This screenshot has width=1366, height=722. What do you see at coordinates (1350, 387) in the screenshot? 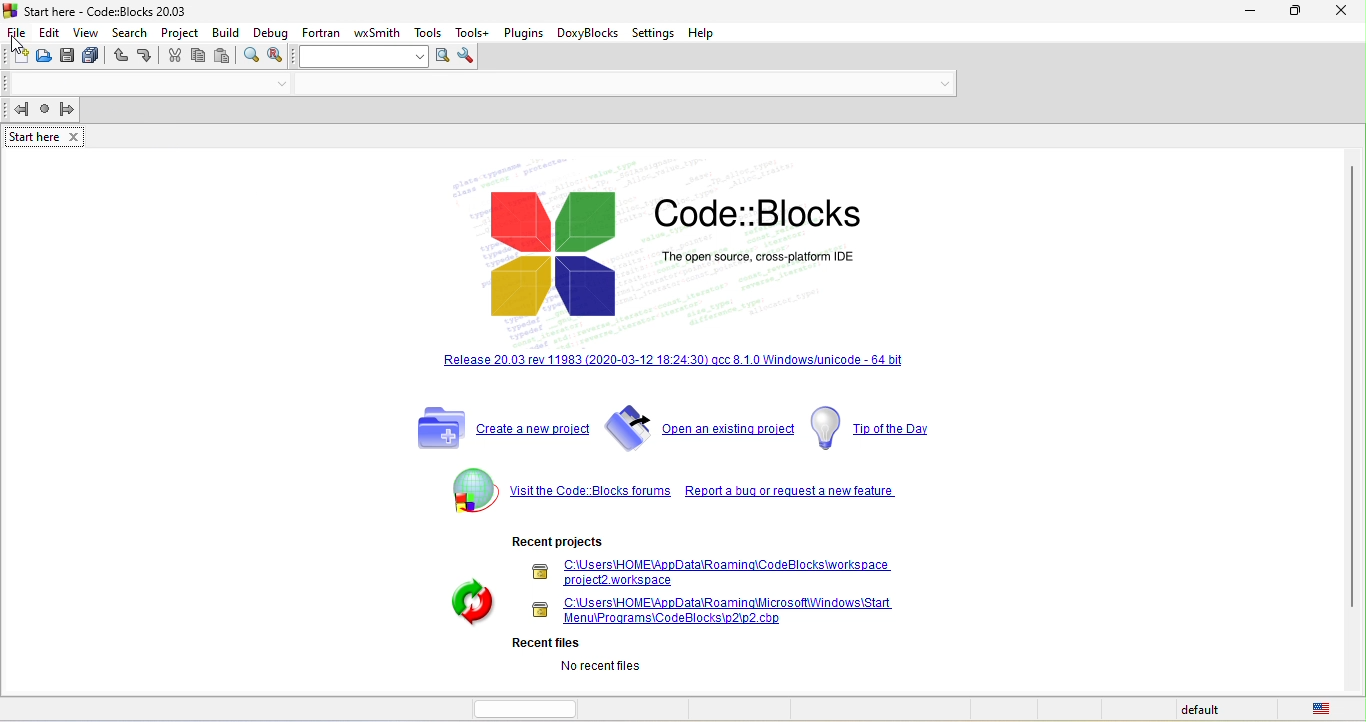
I see `vertical scroll bar` at bounding box center [1350, 387].